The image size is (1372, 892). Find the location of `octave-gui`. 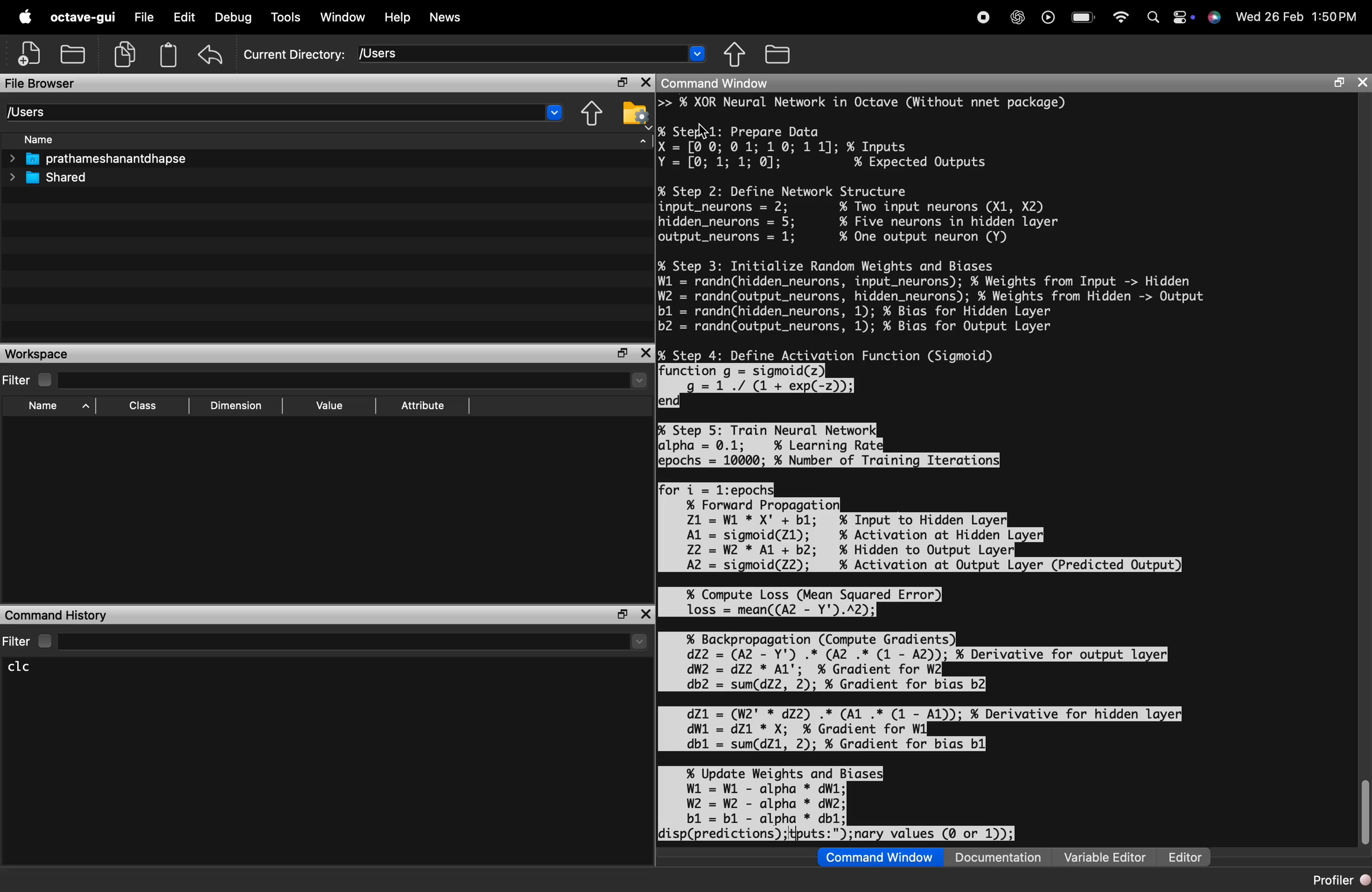

octave-gui is located at coordinates (85, 17).